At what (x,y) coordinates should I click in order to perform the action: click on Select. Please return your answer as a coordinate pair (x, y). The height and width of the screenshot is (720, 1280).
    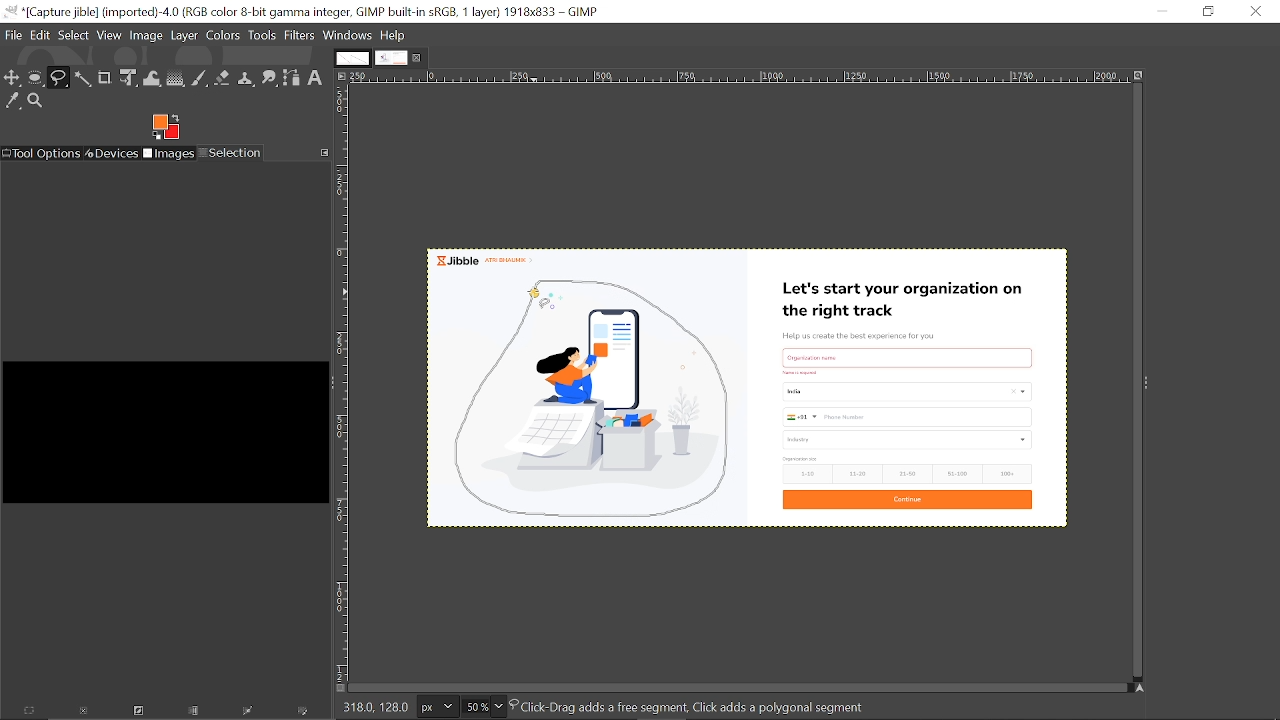
    Looking at the image, I should click on (74, 34).